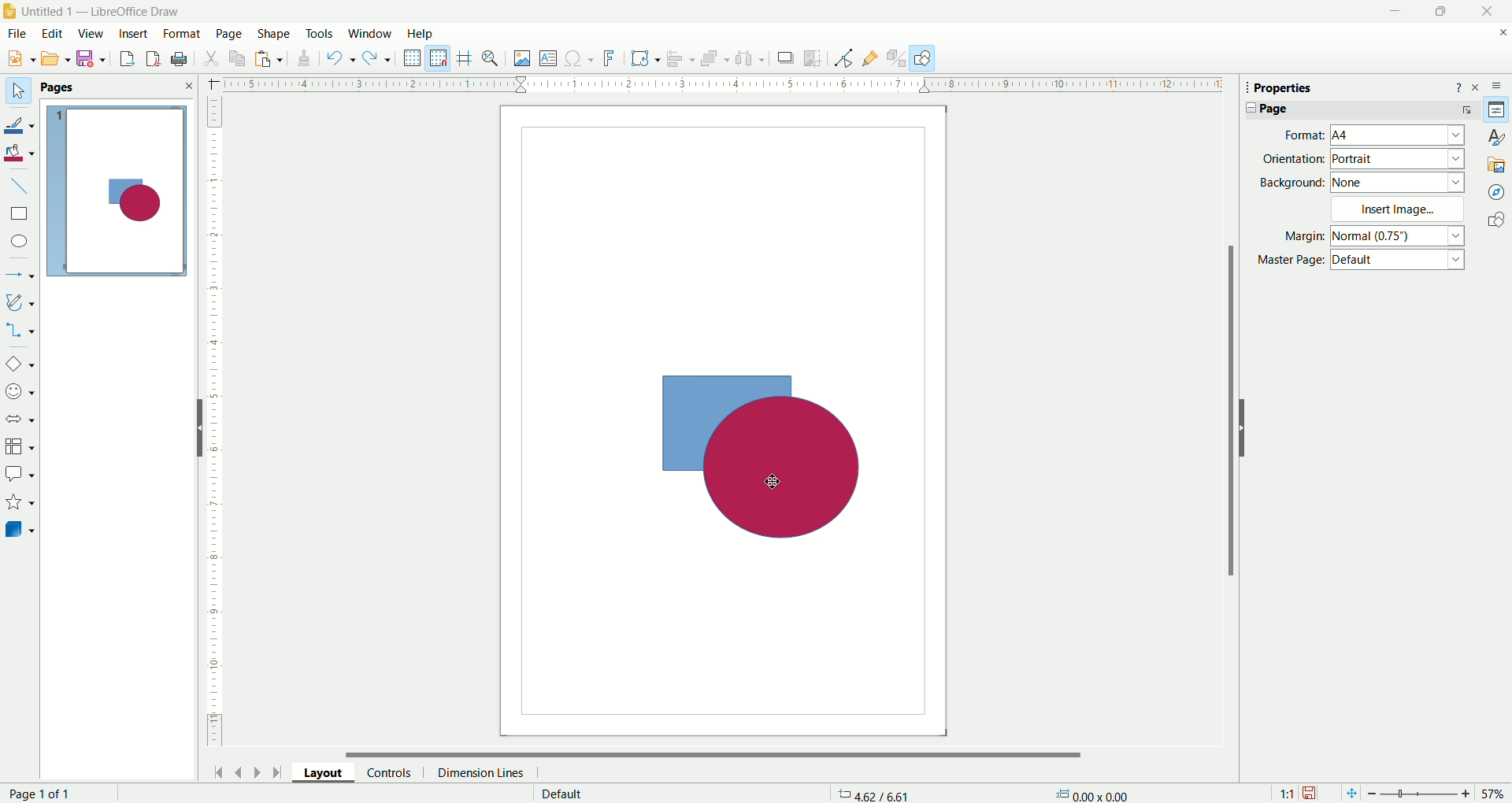  Describe the element at coordinates (722, 420) in the screenshot. I see `page` at that location.